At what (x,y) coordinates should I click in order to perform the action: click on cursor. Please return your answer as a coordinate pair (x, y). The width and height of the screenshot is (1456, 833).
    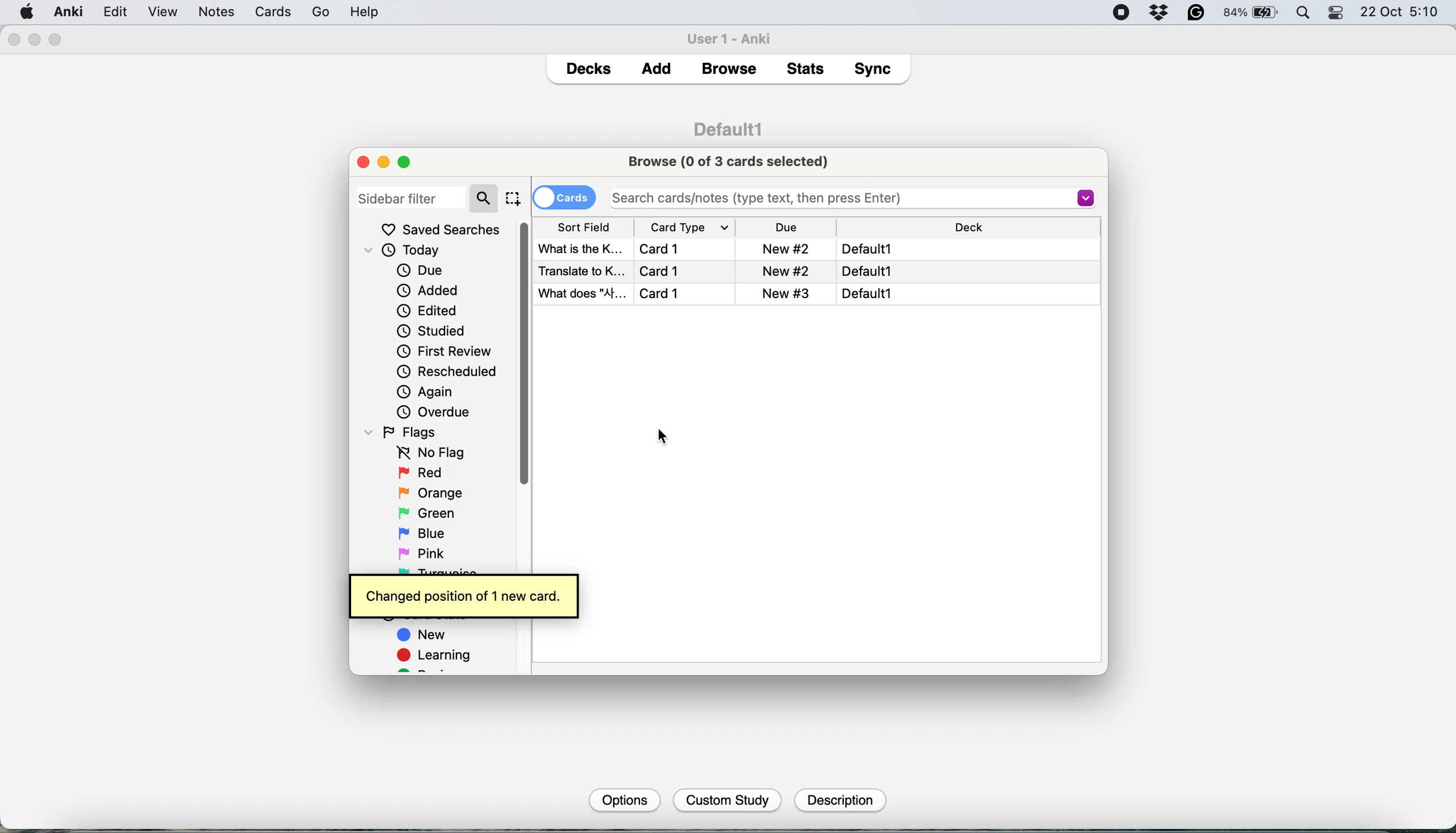
    Looking at the image, I should click on (663, 437).